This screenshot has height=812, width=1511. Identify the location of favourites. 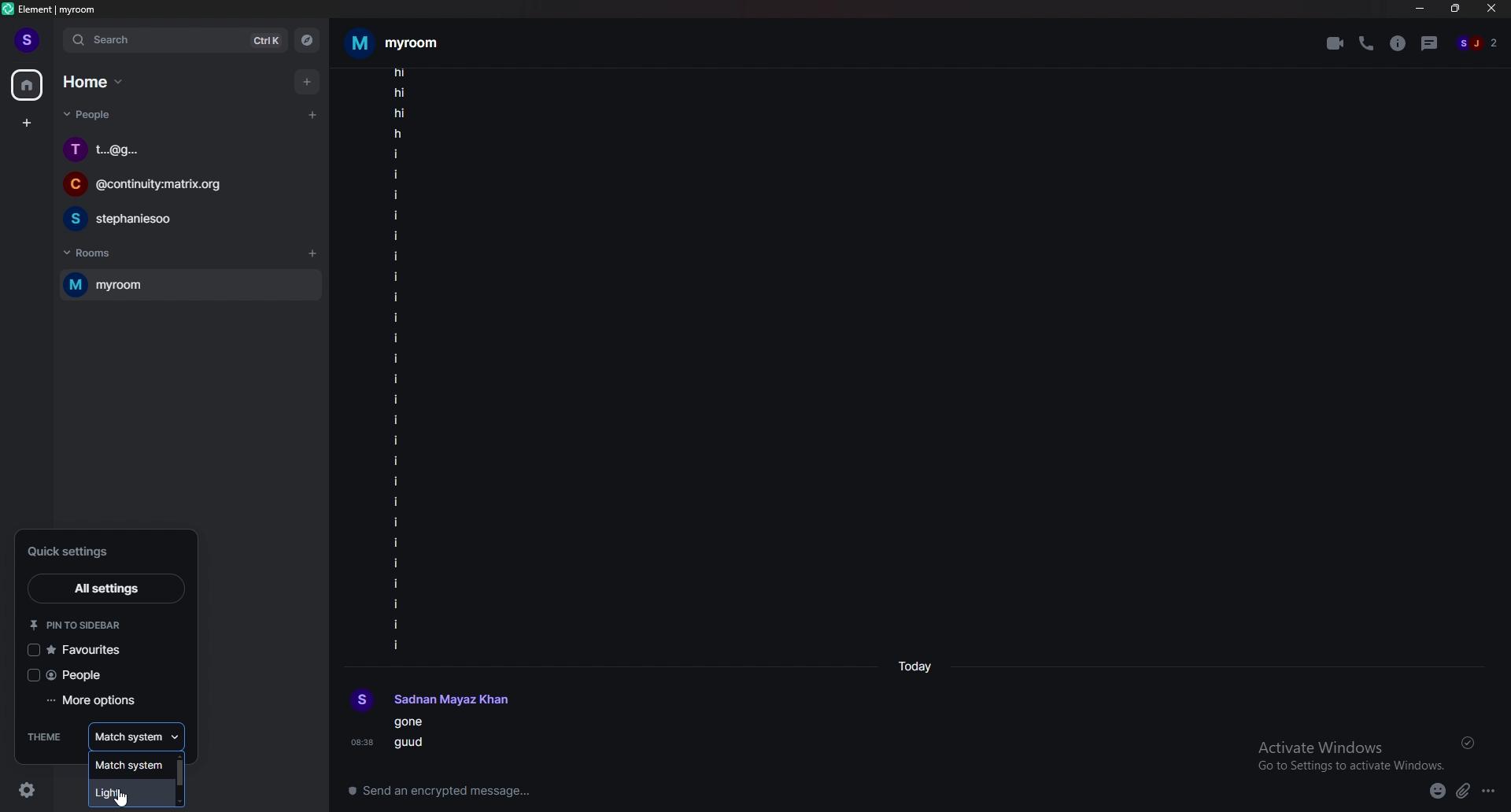
(98, 650).